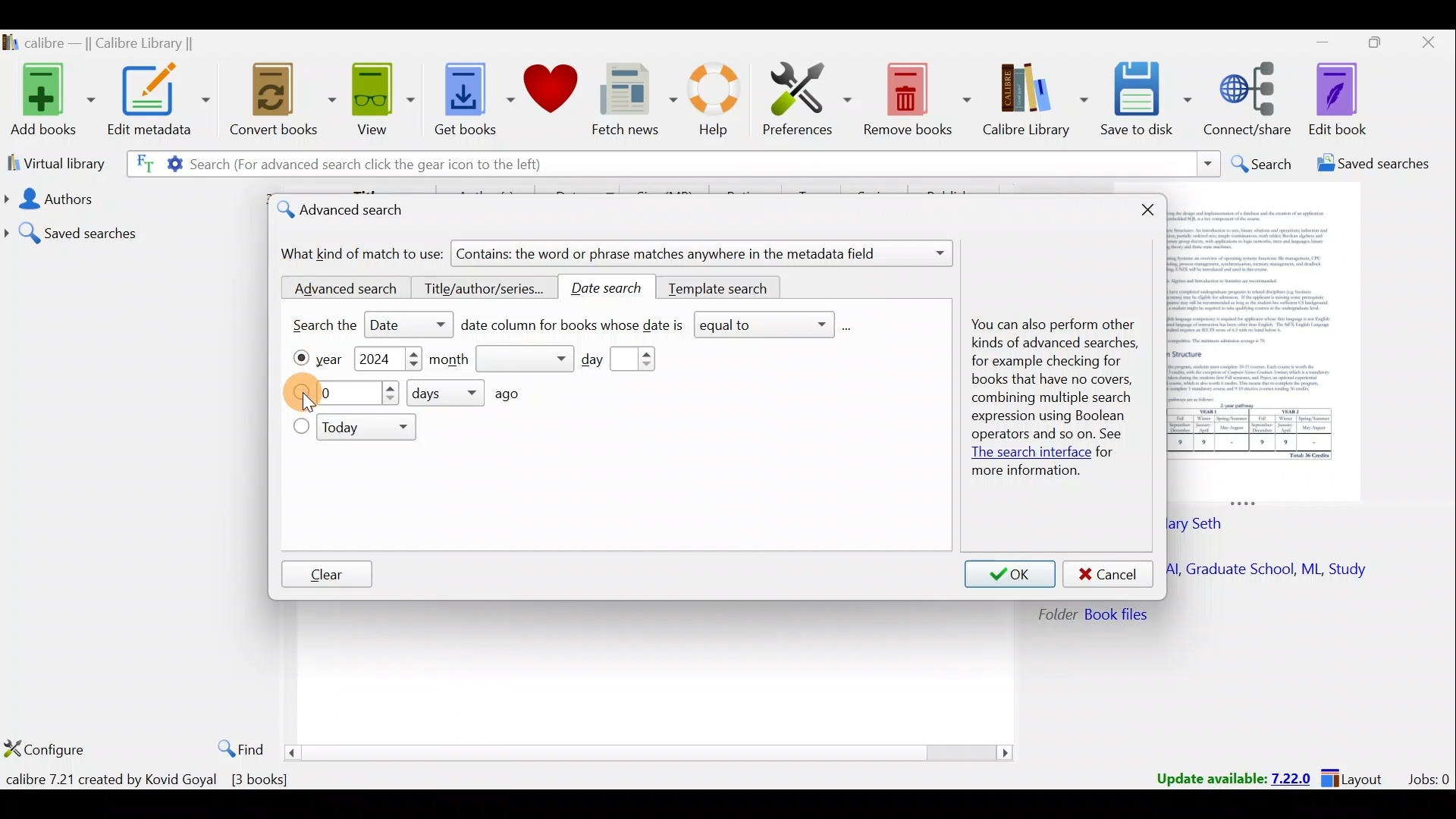  Describe the element at coordinates (1207, 164) in the screenshot. I see `Search dropdown` at that location.